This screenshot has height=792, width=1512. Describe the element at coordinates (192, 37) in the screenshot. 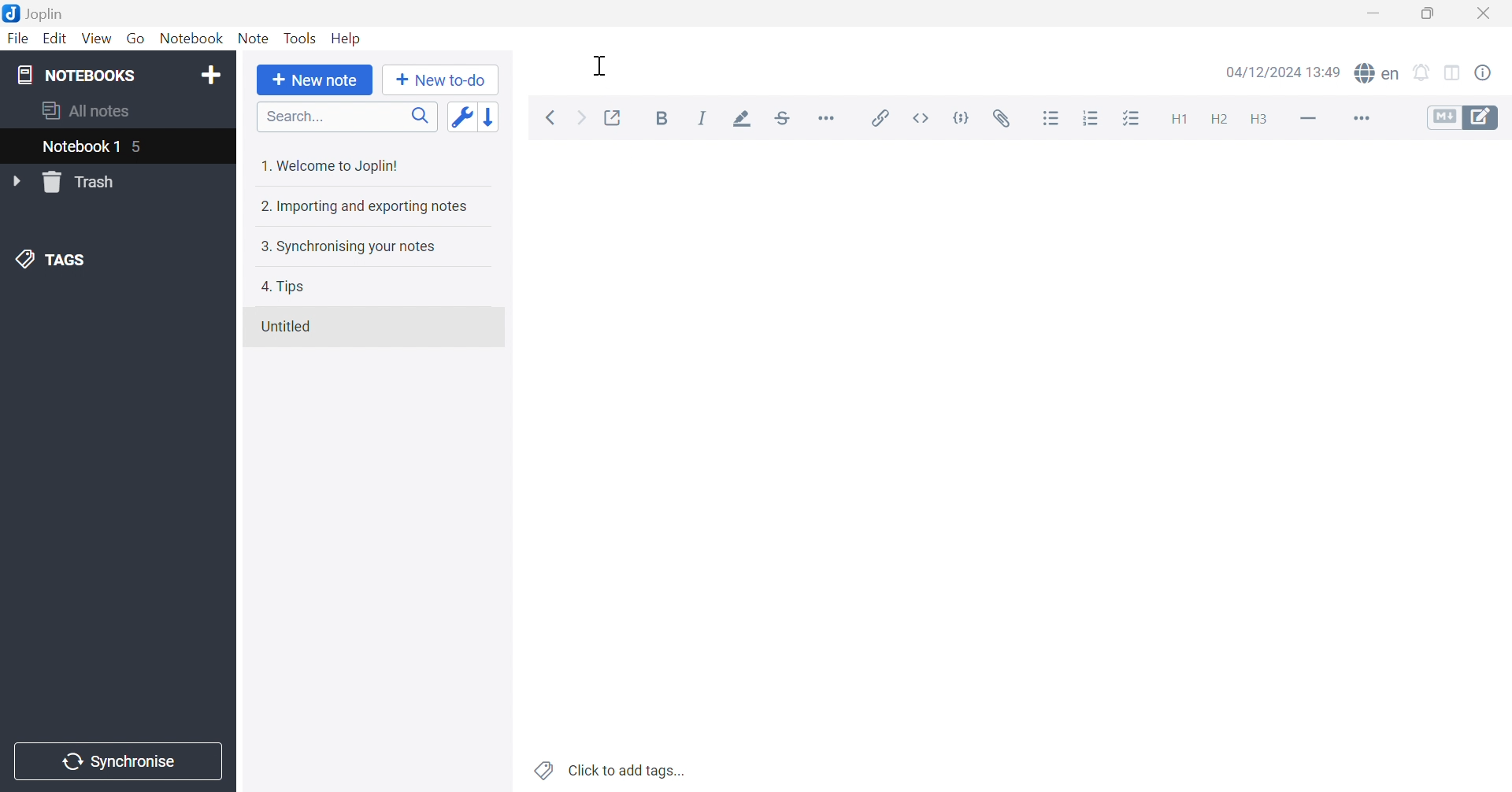

I see `Notebook` at that location.